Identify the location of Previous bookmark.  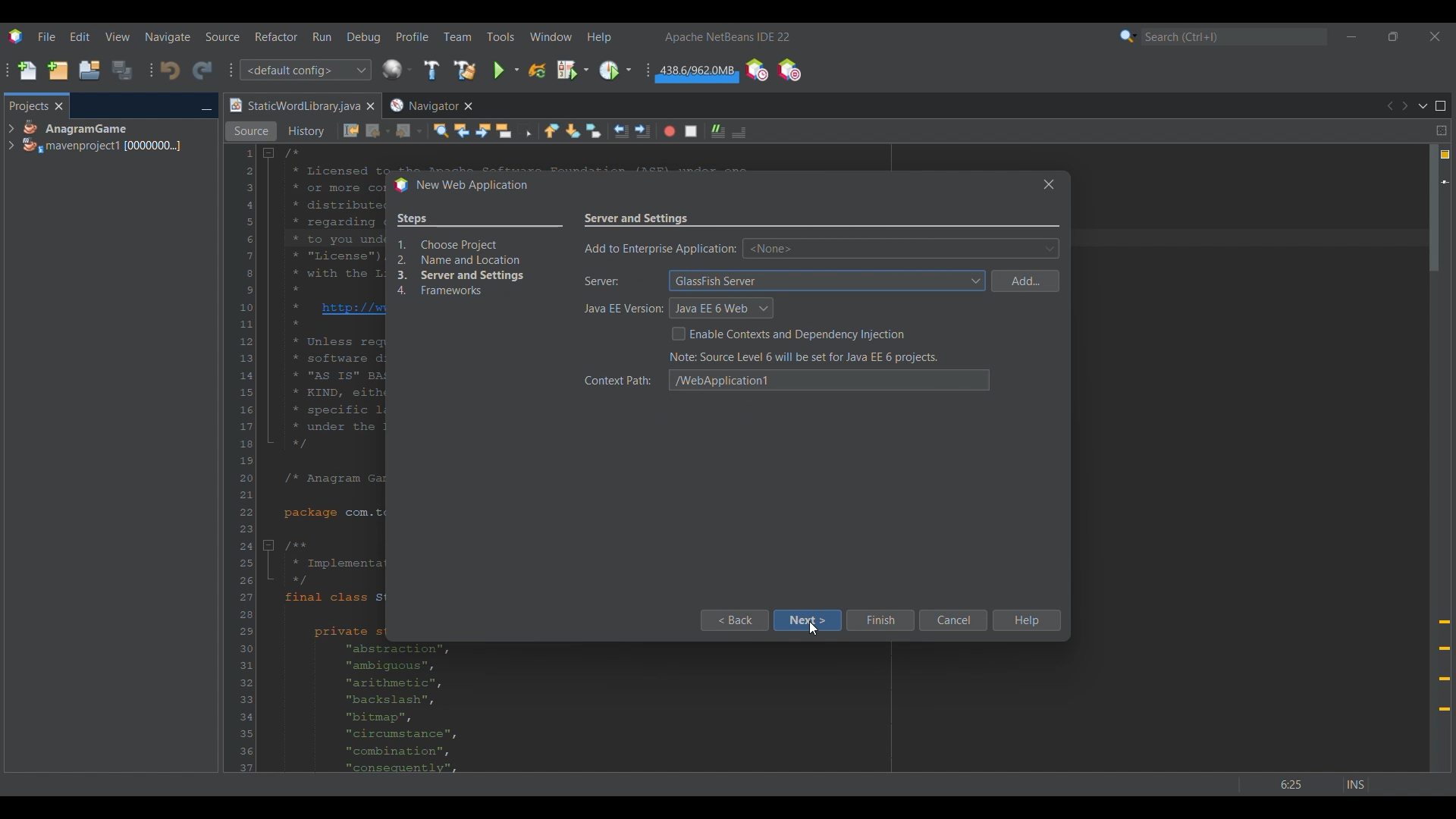
(551, 130).